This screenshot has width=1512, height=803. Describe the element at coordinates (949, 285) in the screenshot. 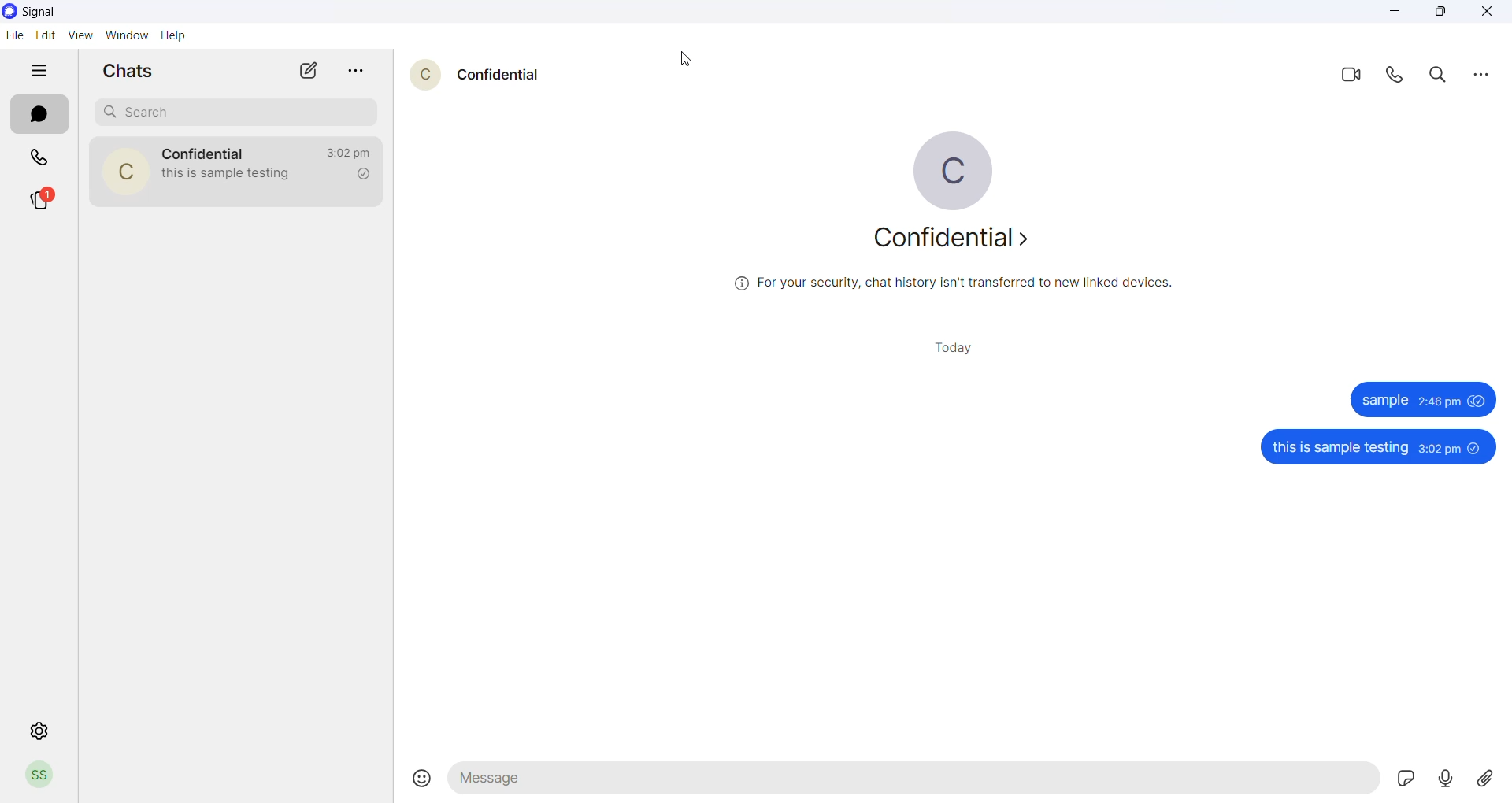

I see `security information` at that location.